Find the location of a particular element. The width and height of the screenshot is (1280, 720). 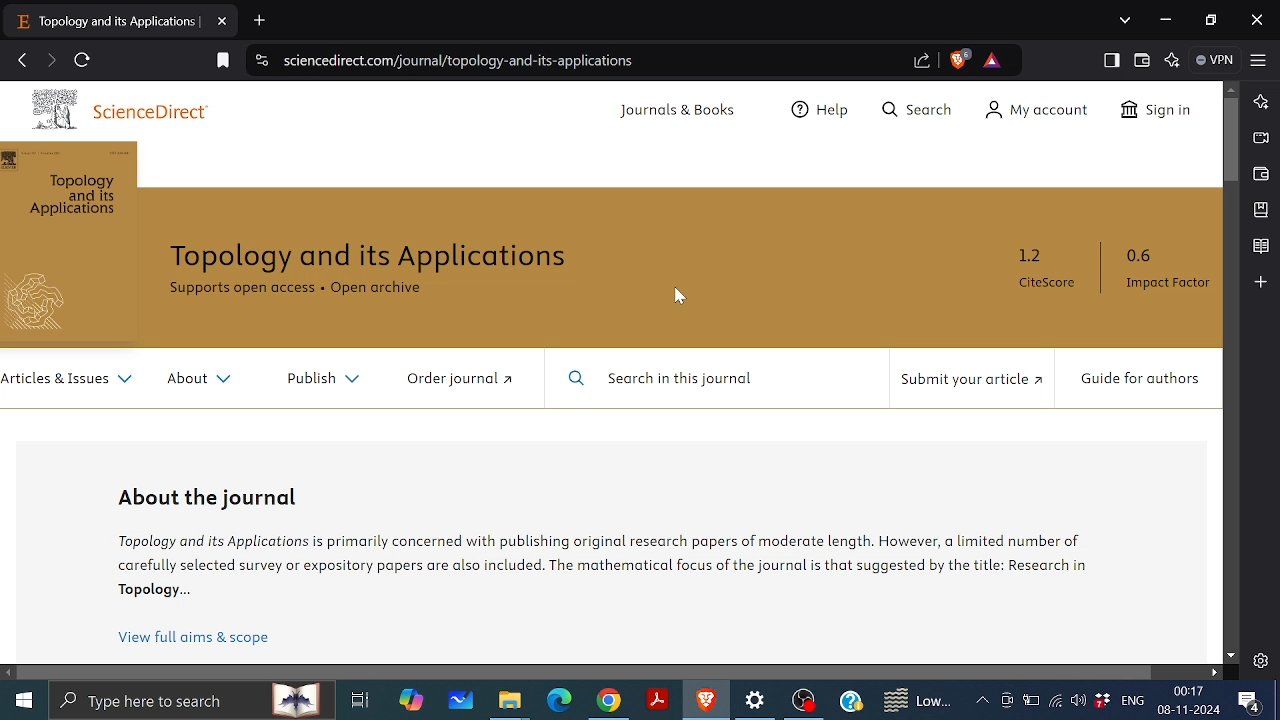

Adobe reader is located at coordinates (658, 699).